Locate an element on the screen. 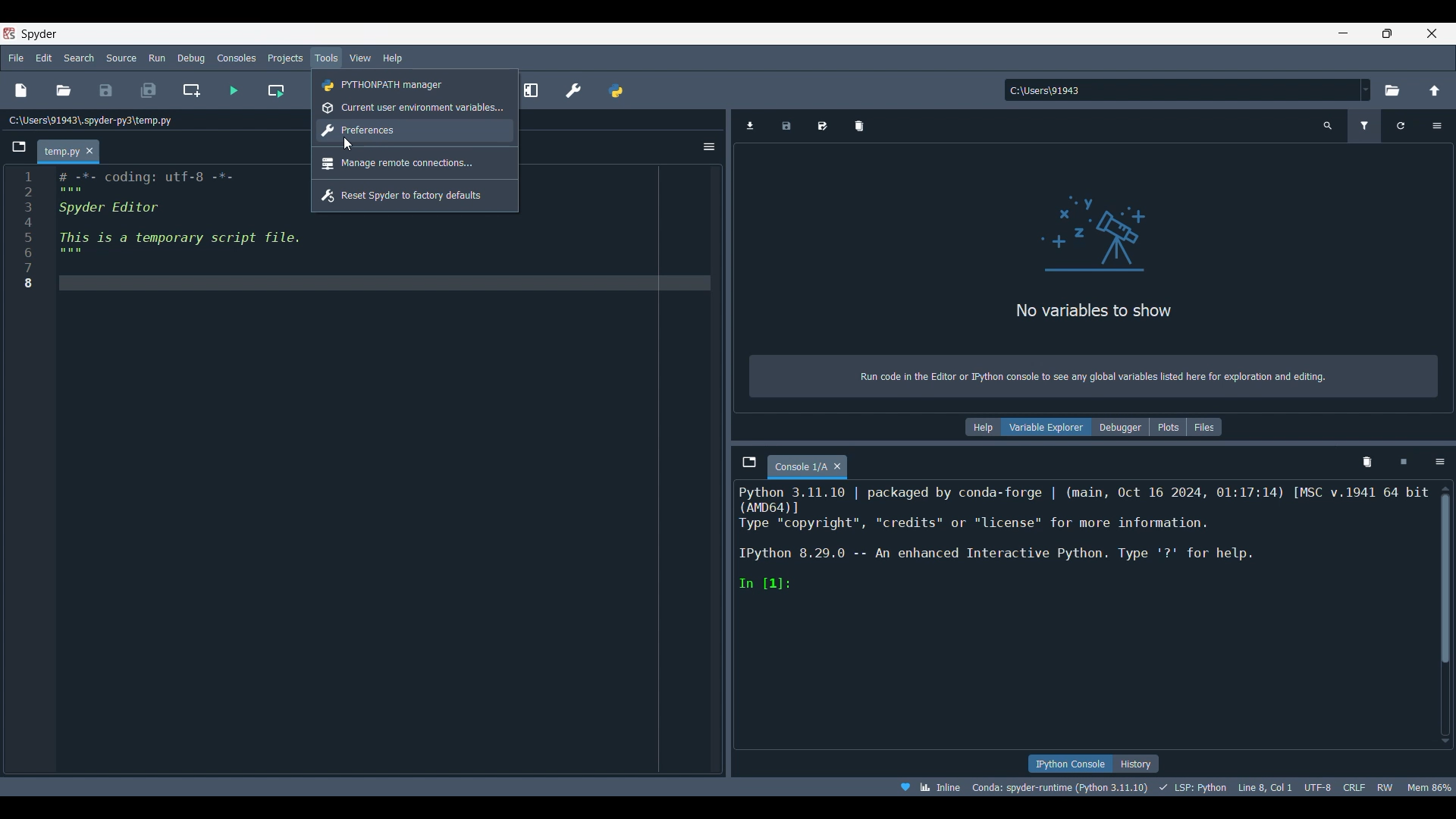 The image size is (1456, 819). Options is located at coordinates (1440, 462).